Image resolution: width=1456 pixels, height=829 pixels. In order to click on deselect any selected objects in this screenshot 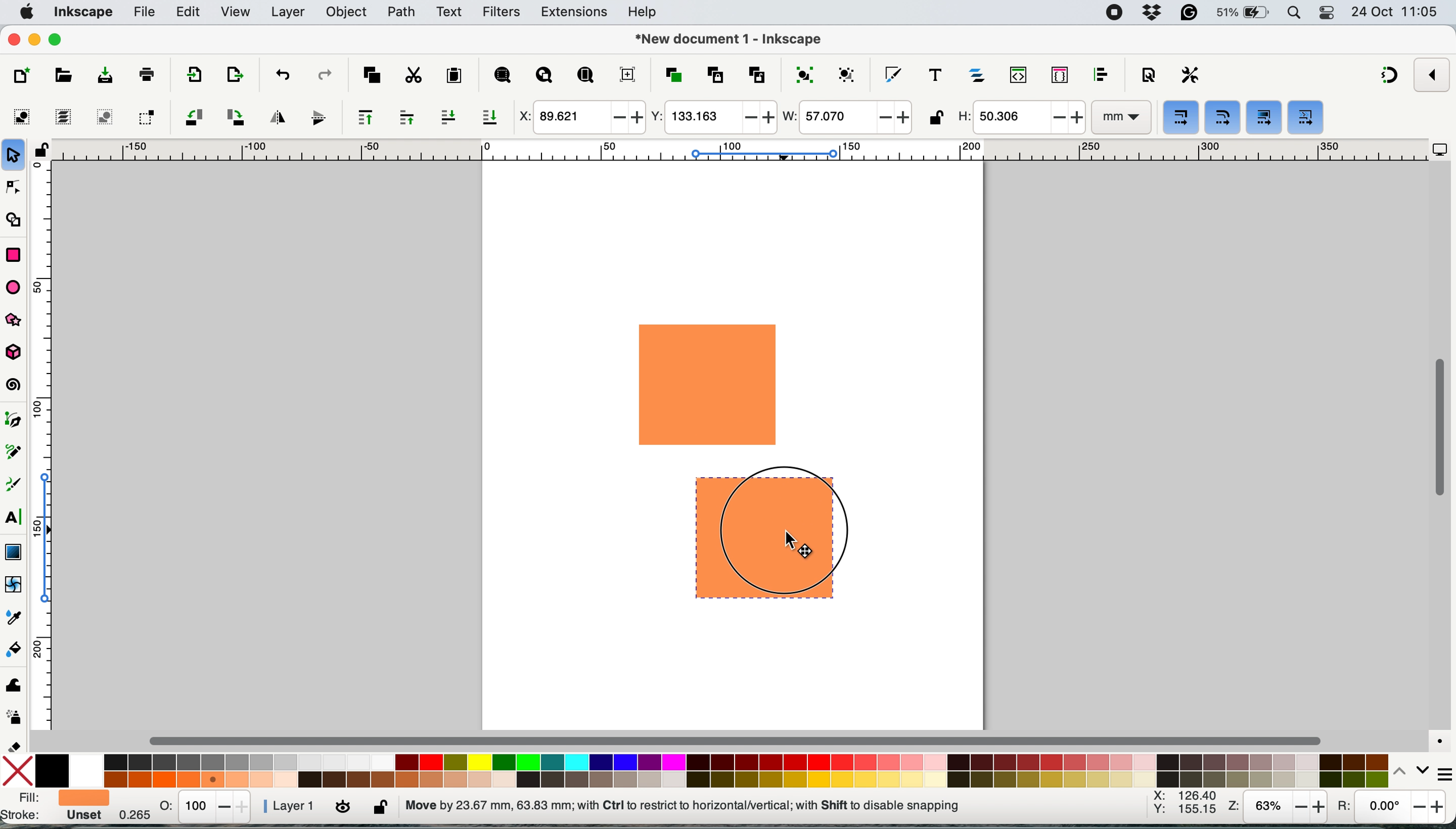, I will do `click(103, 117)`.